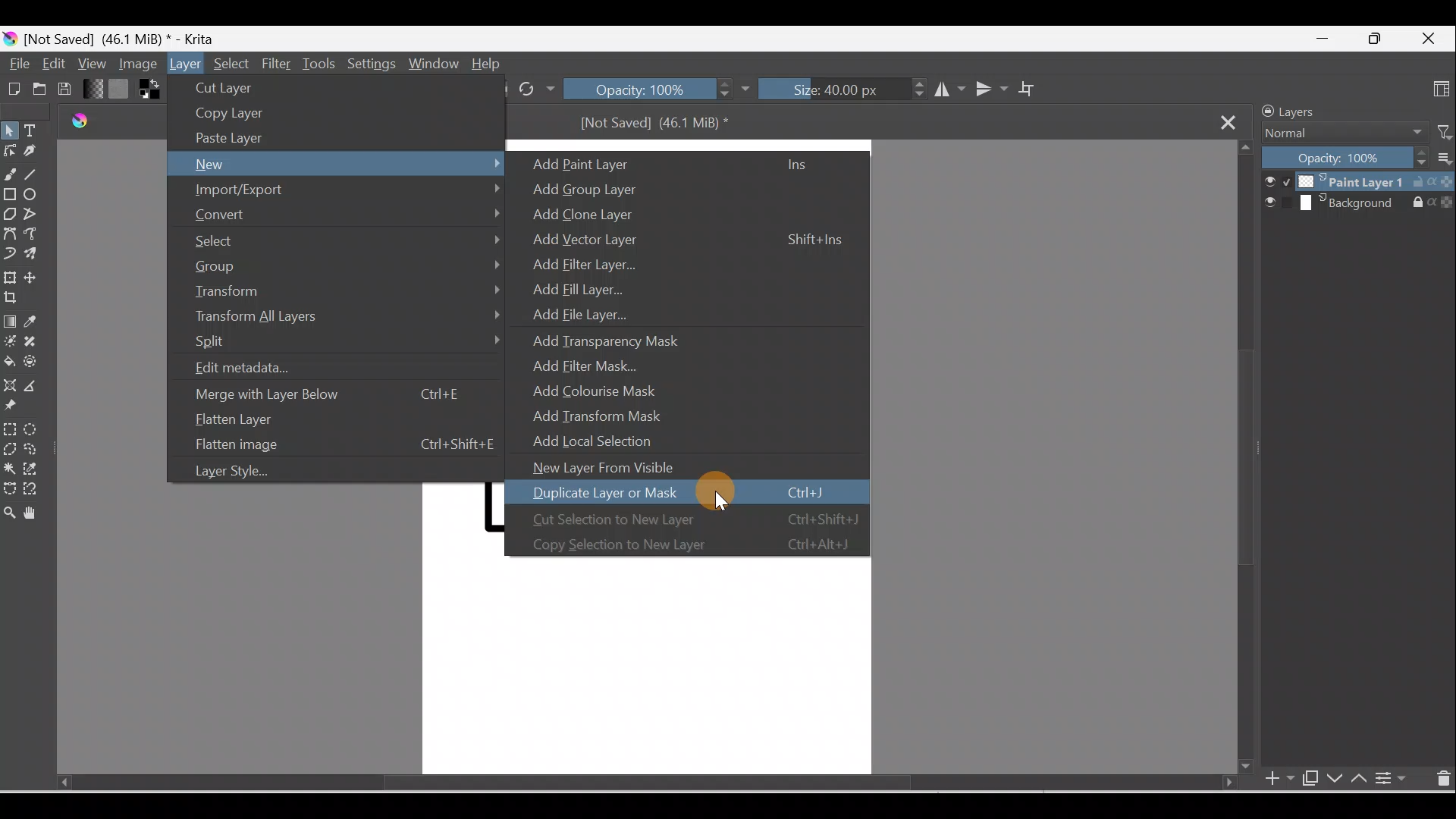 The height and width of the screenshot is (819, 1456). I want to click on Add filter layer, so click(581, 262).